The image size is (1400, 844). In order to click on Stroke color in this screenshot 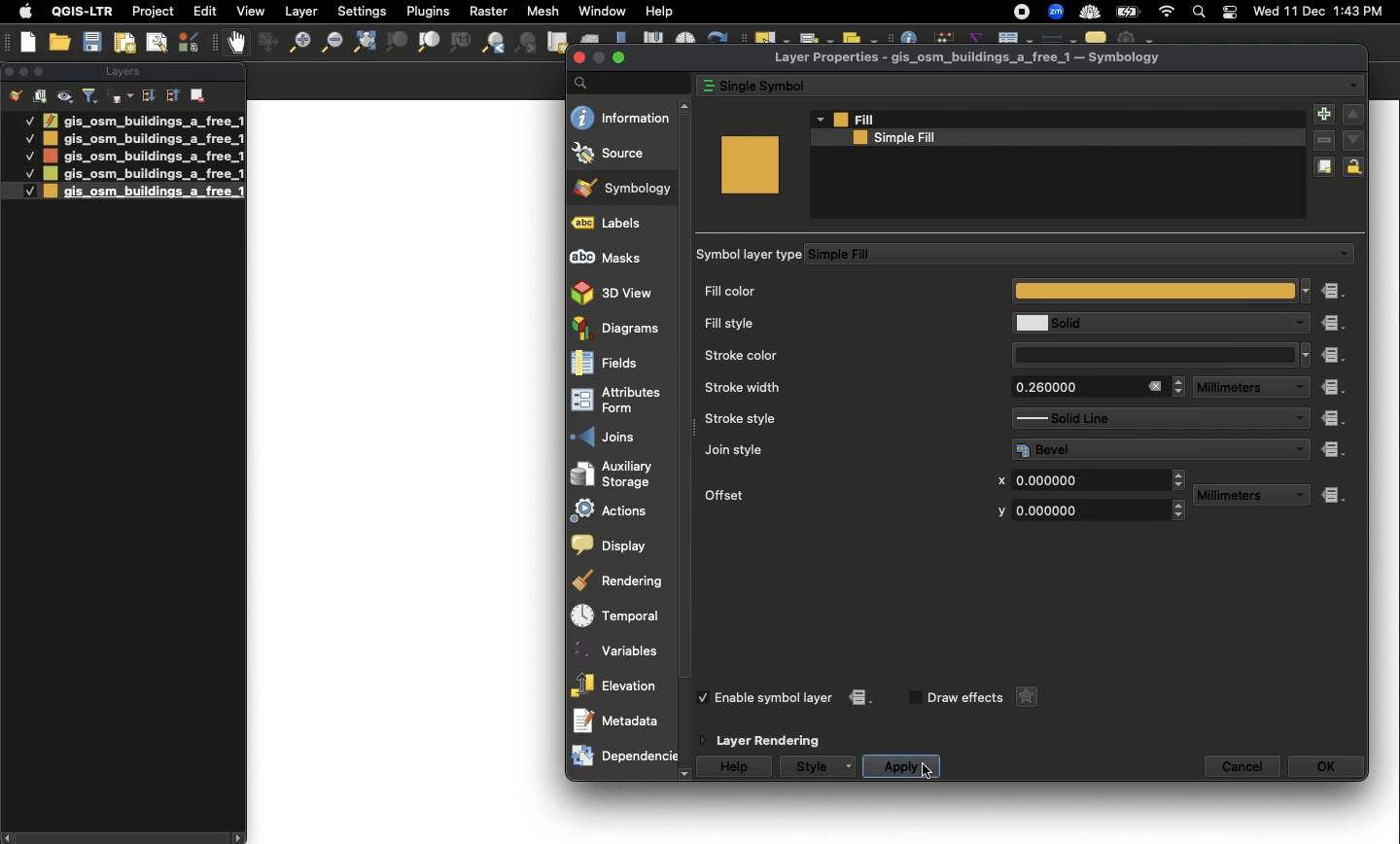, I will do `click(842, 354)`.